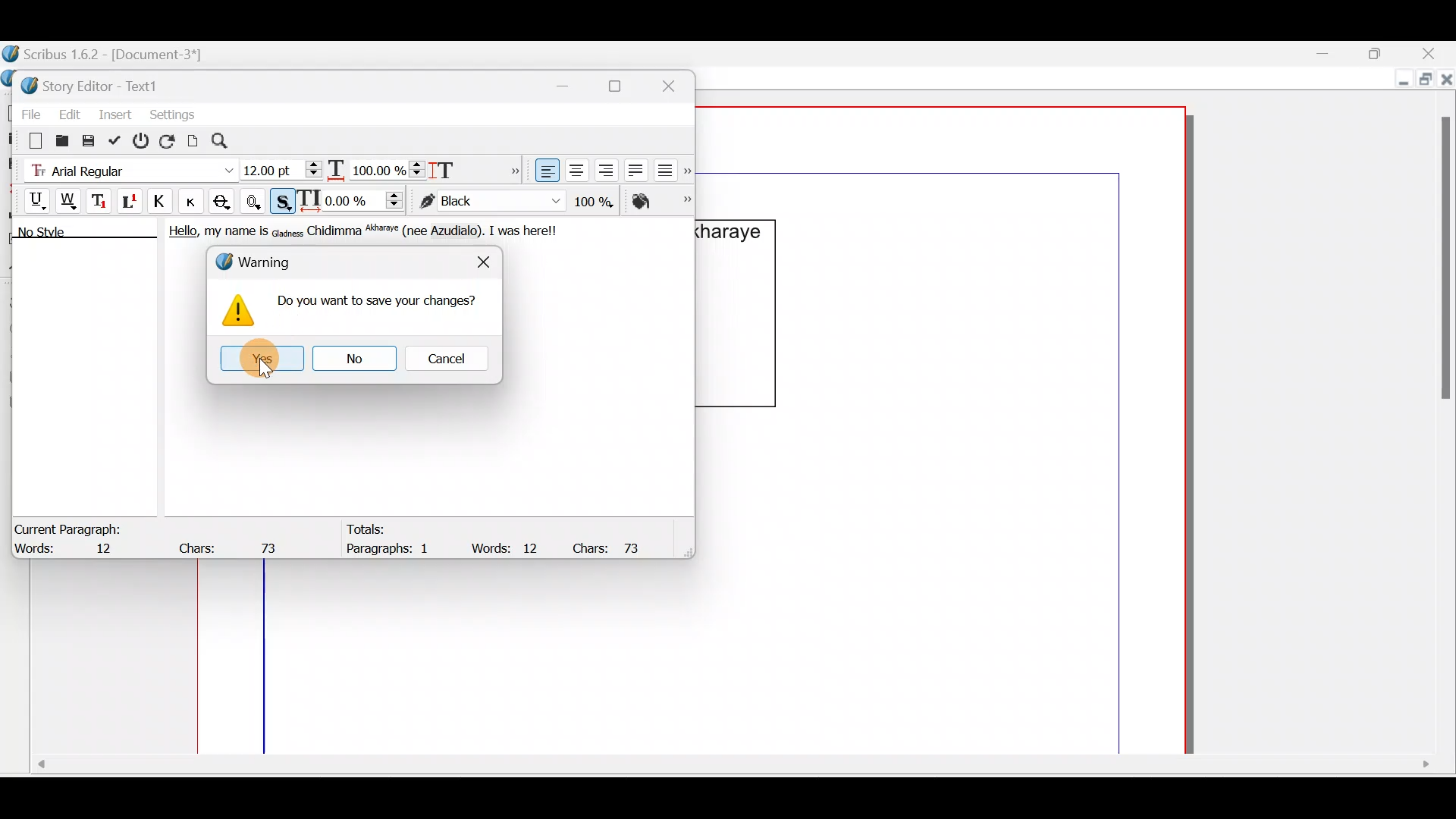  What do you see at coordinates (287, 231) in the screenshot?
I see `Gladness` at bounding box center [287, 231].